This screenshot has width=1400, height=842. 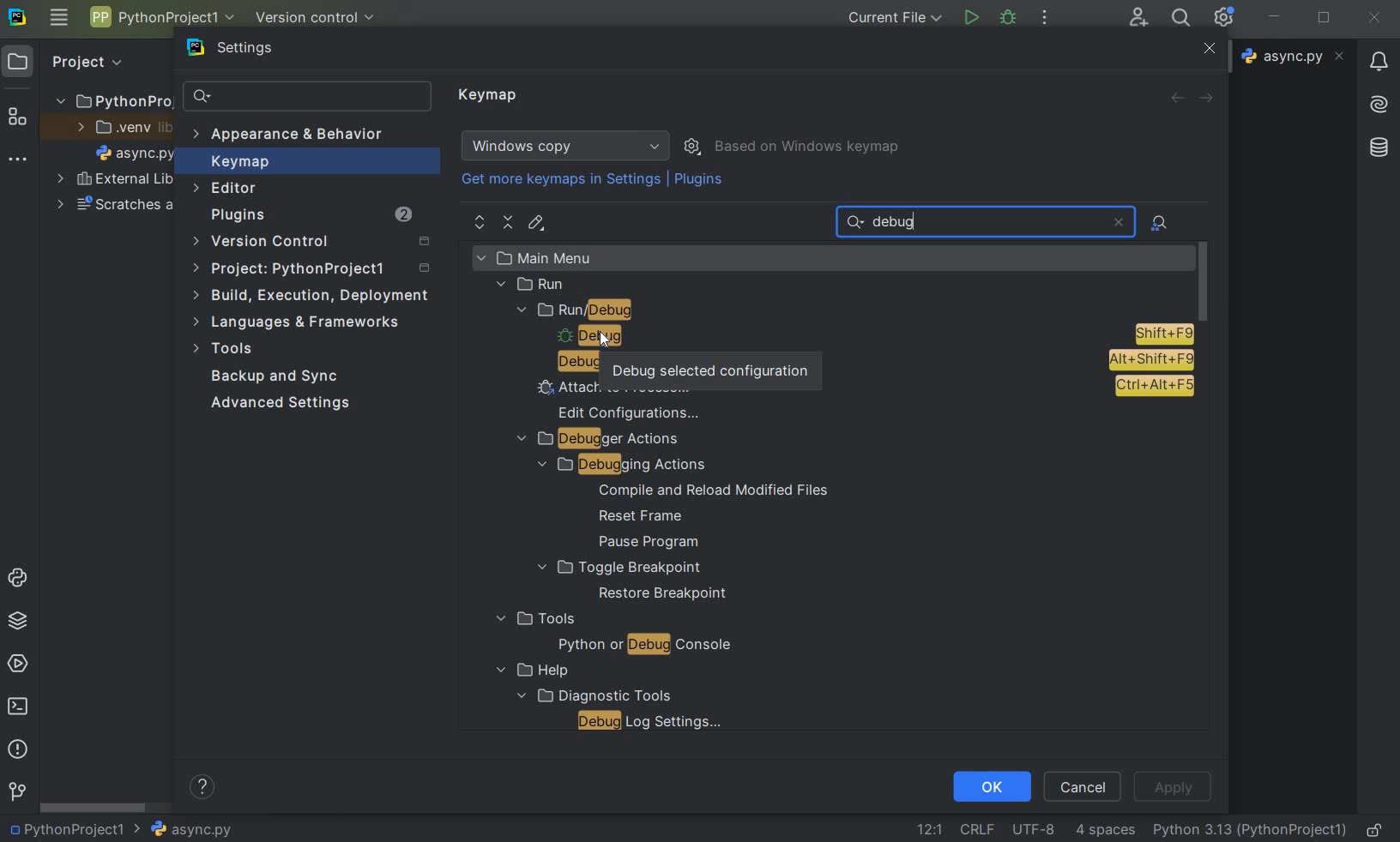 I want to click on plugins, so click(x=701, y=183).